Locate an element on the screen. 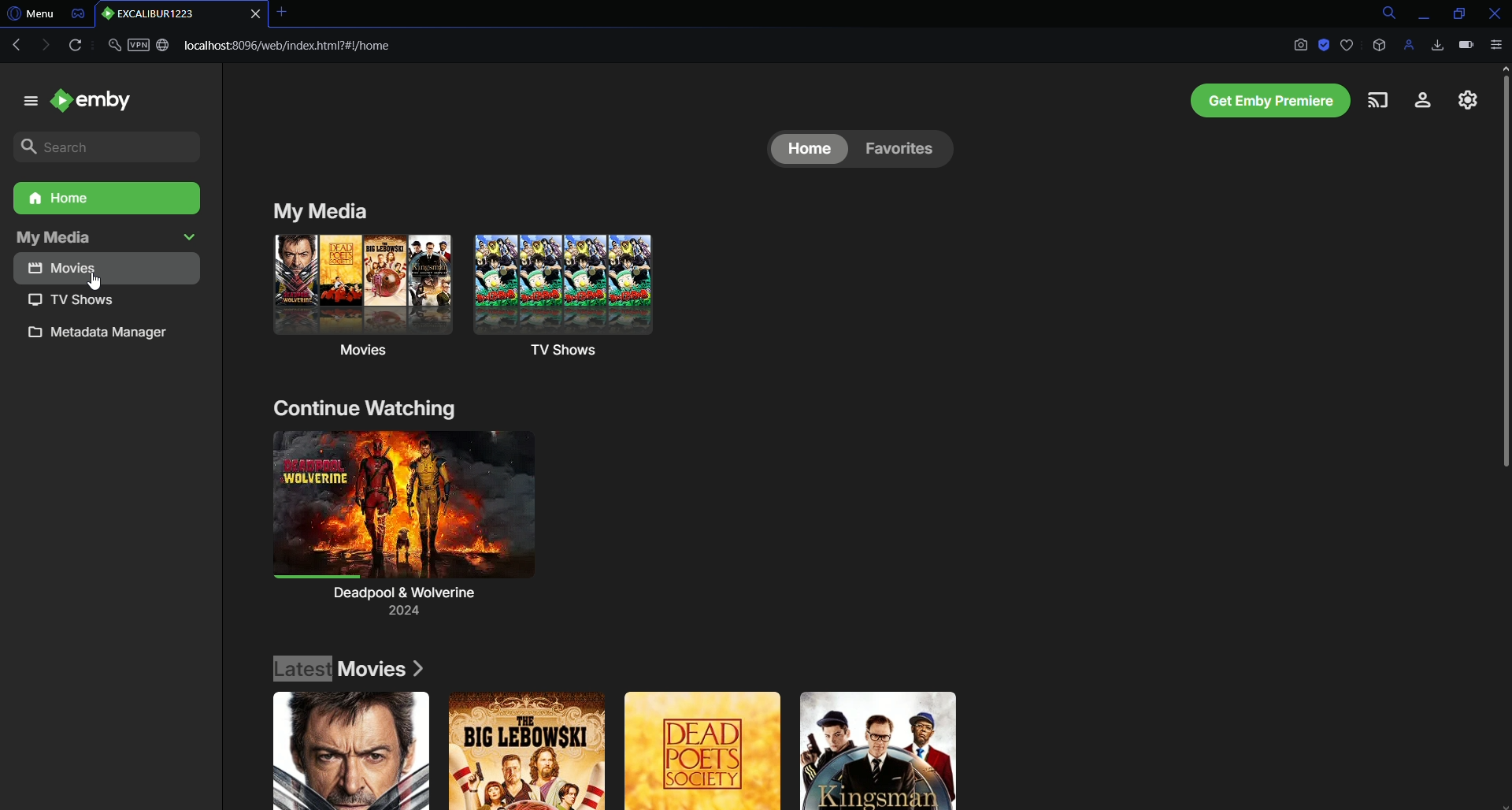 This screenshot has width=1512, height=810. Security and VPN is located at coordinates (139, 49).